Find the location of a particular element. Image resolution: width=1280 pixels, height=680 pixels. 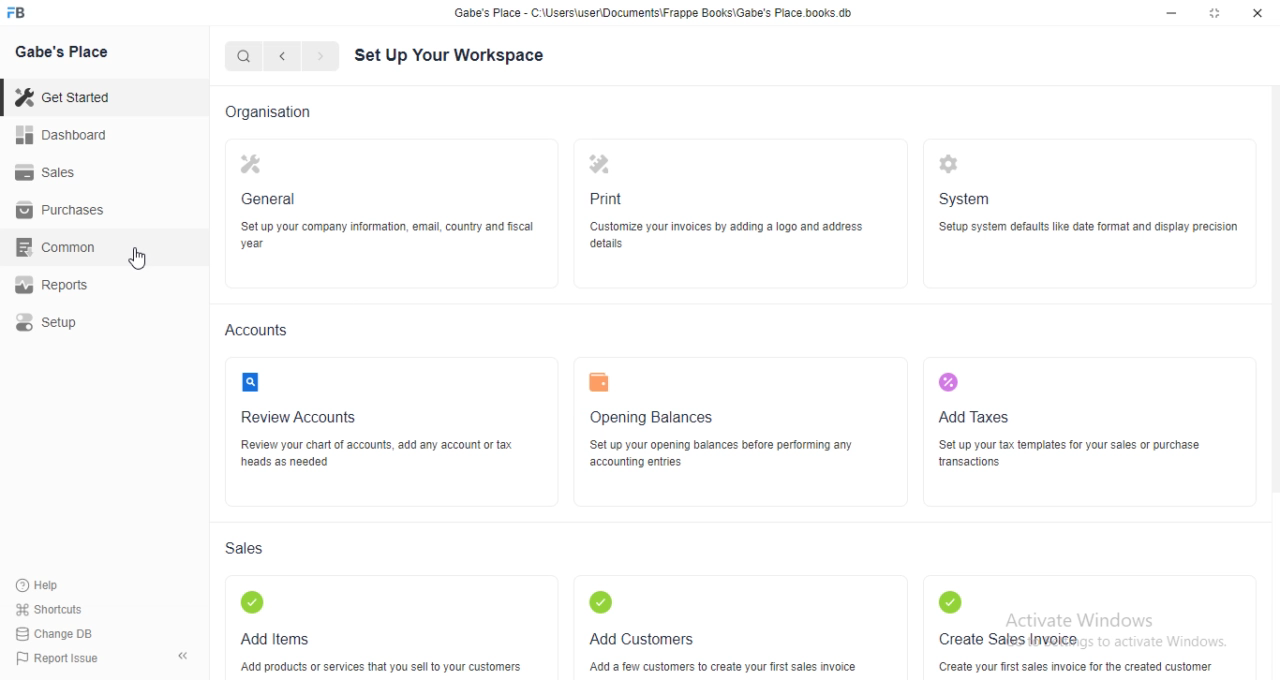

System is located at coordinates (965, 181).